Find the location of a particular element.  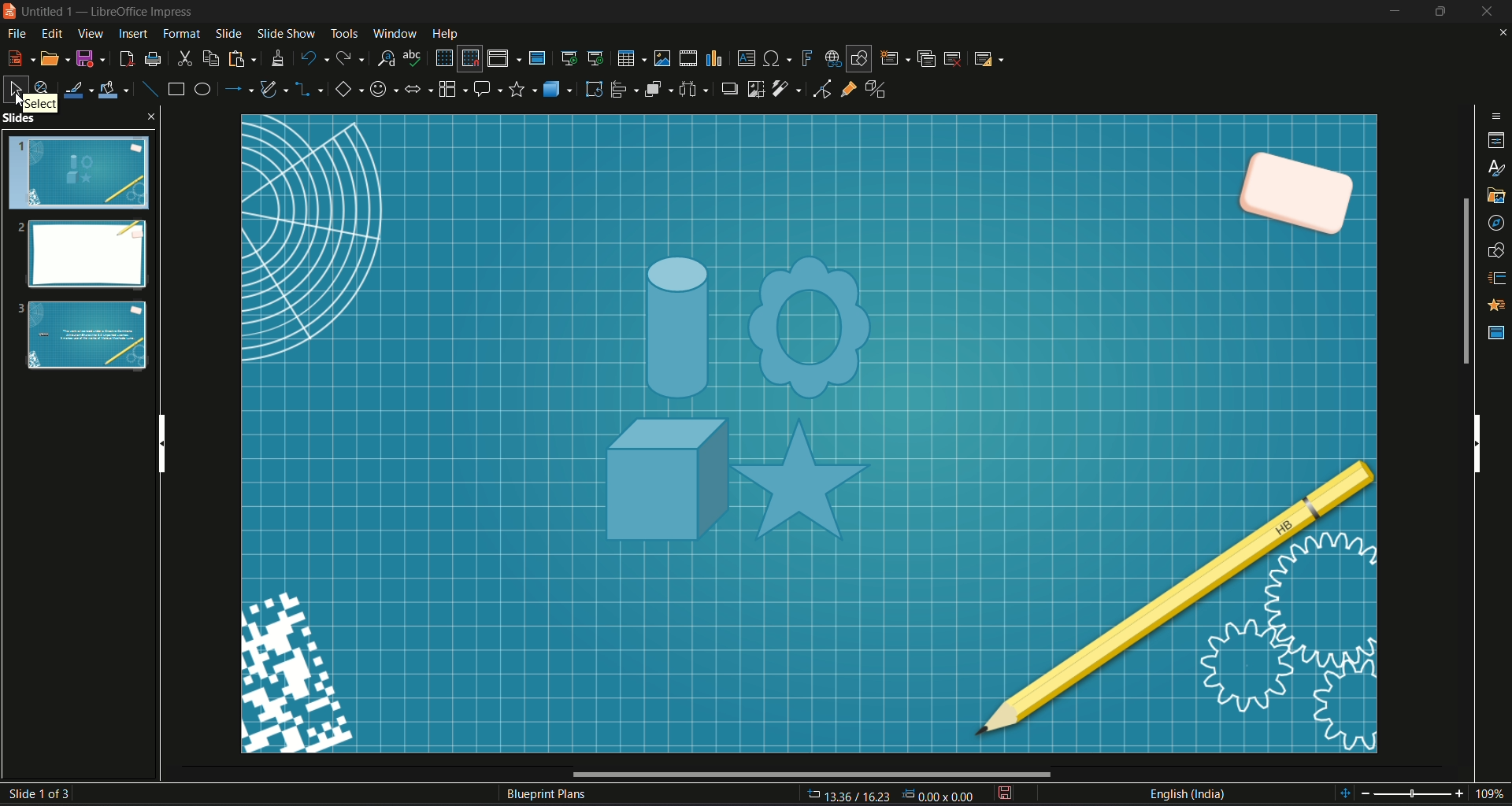

properties is located at coordinates (1497, 142).